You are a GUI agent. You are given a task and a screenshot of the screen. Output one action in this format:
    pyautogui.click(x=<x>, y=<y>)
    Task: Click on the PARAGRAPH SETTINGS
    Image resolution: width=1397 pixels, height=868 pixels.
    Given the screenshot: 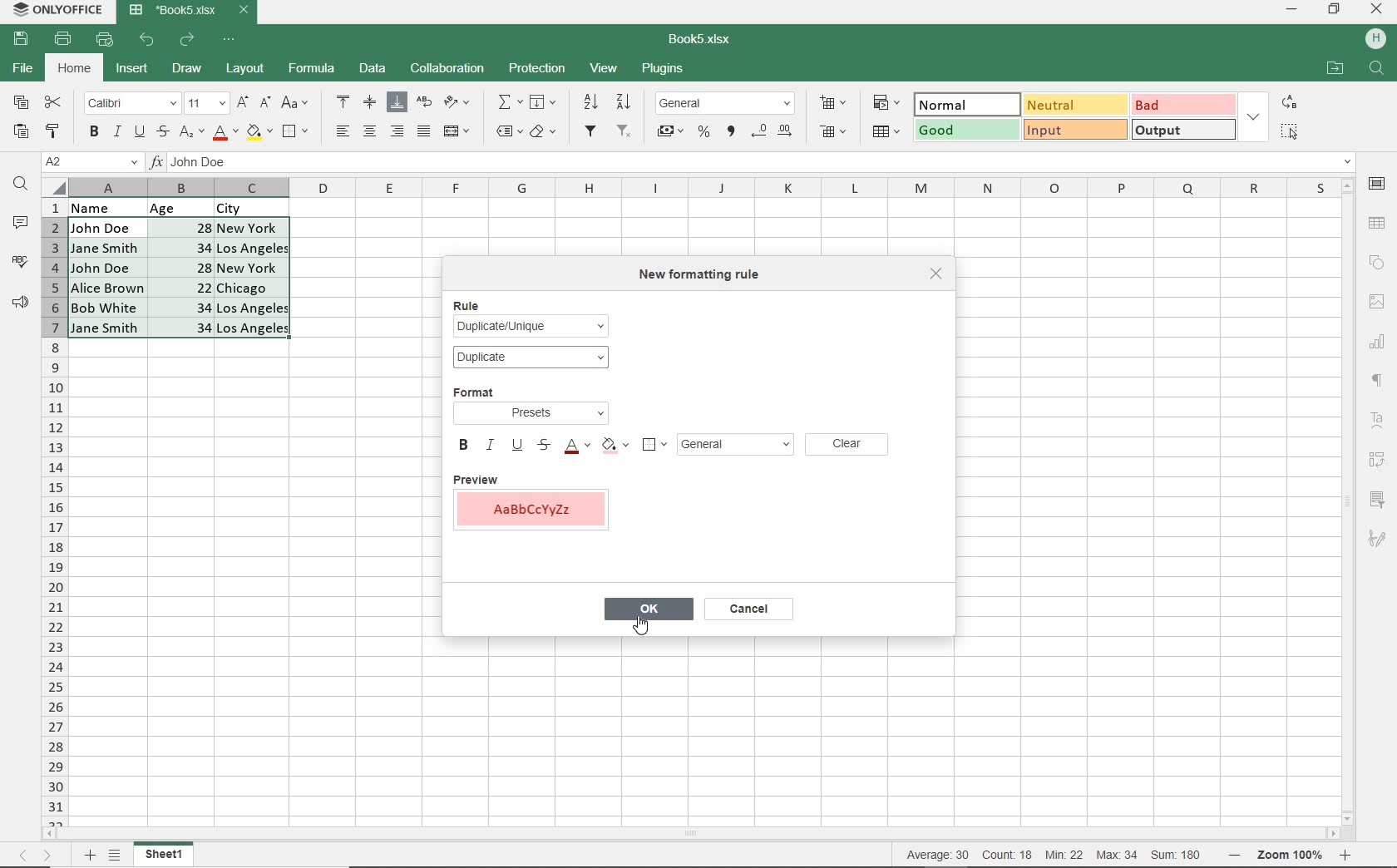 What is the action you would take?
    pyautogui.click(x=1378, y=381)
    